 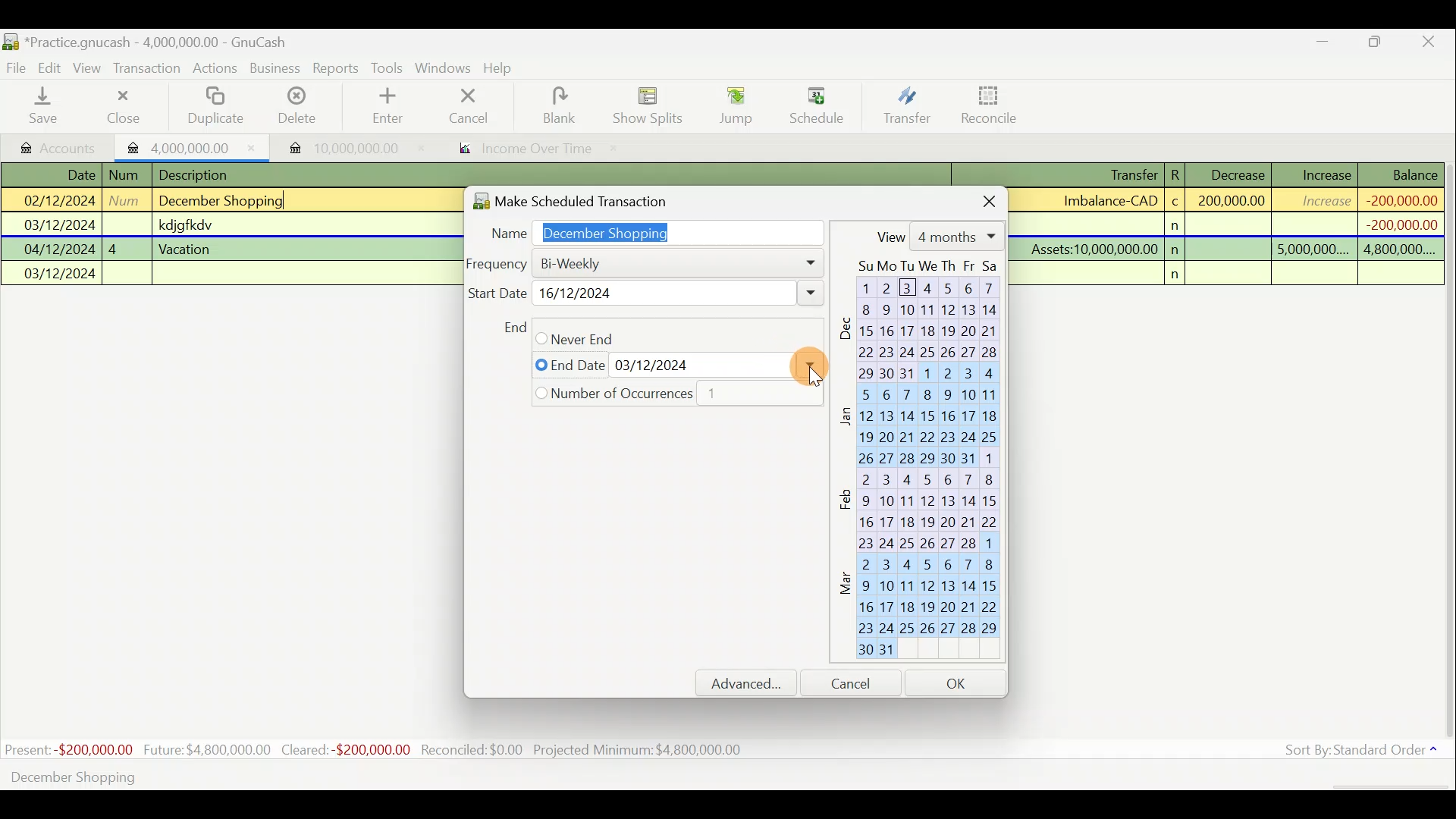 I want to click on Name, so click(x=649, y=230).